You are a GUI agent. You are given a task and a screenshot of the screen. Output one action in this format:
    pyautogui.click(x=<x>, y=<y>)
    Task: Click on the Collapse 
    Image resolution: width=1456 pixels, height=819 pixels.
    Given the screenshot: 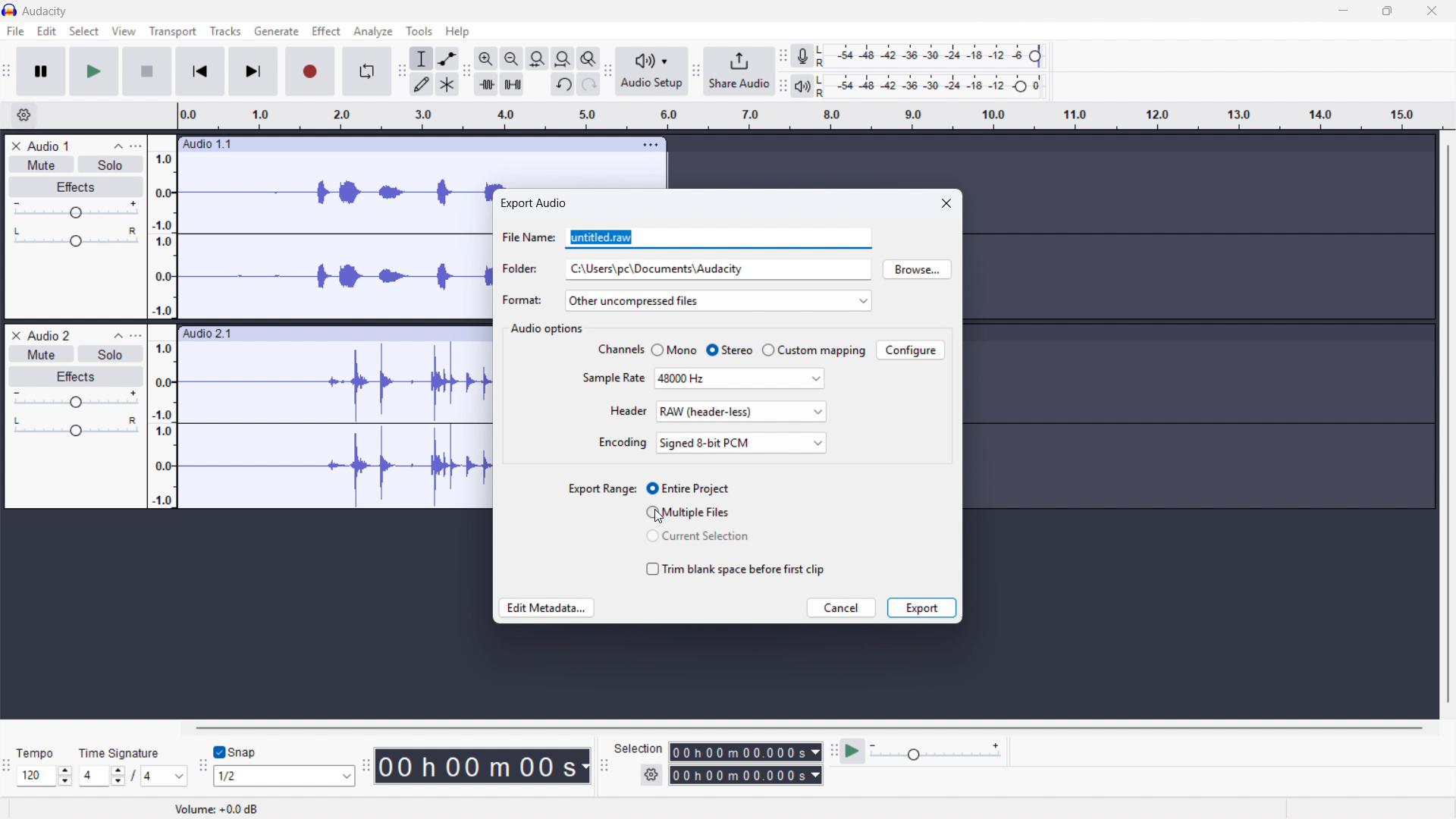 What is the action you would take?
    pyautogui.click(x=118, y=146)
    